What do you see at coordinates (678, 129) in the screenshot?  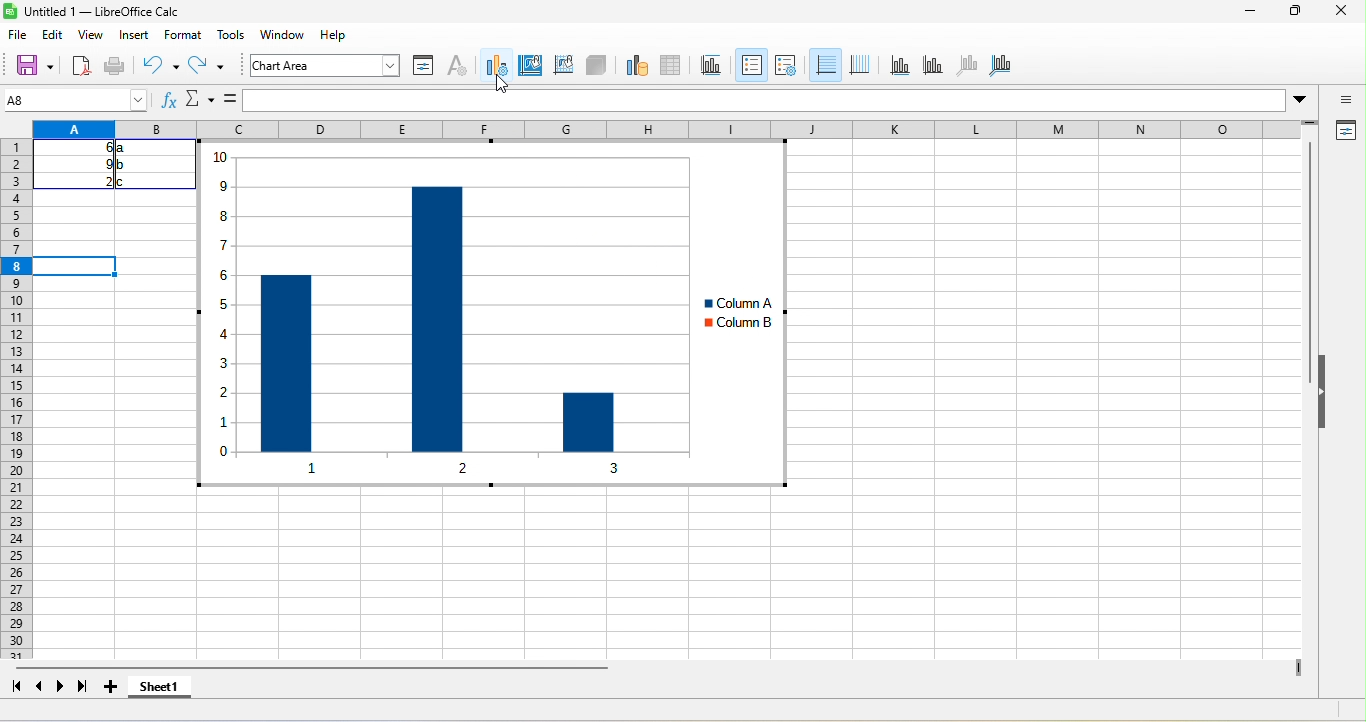 I see `column headings` at bounding box center [678, 129].